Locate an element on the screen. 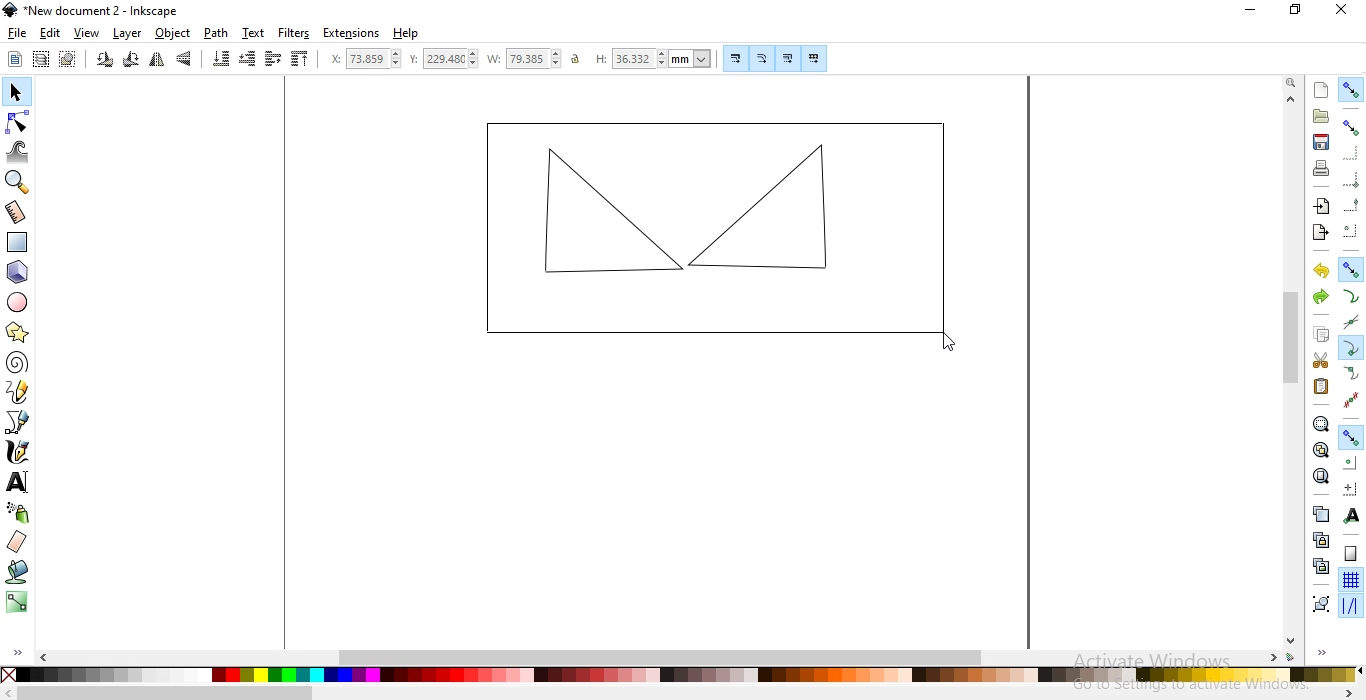  snap bounding boxes is located at coordinates (1352, 128).